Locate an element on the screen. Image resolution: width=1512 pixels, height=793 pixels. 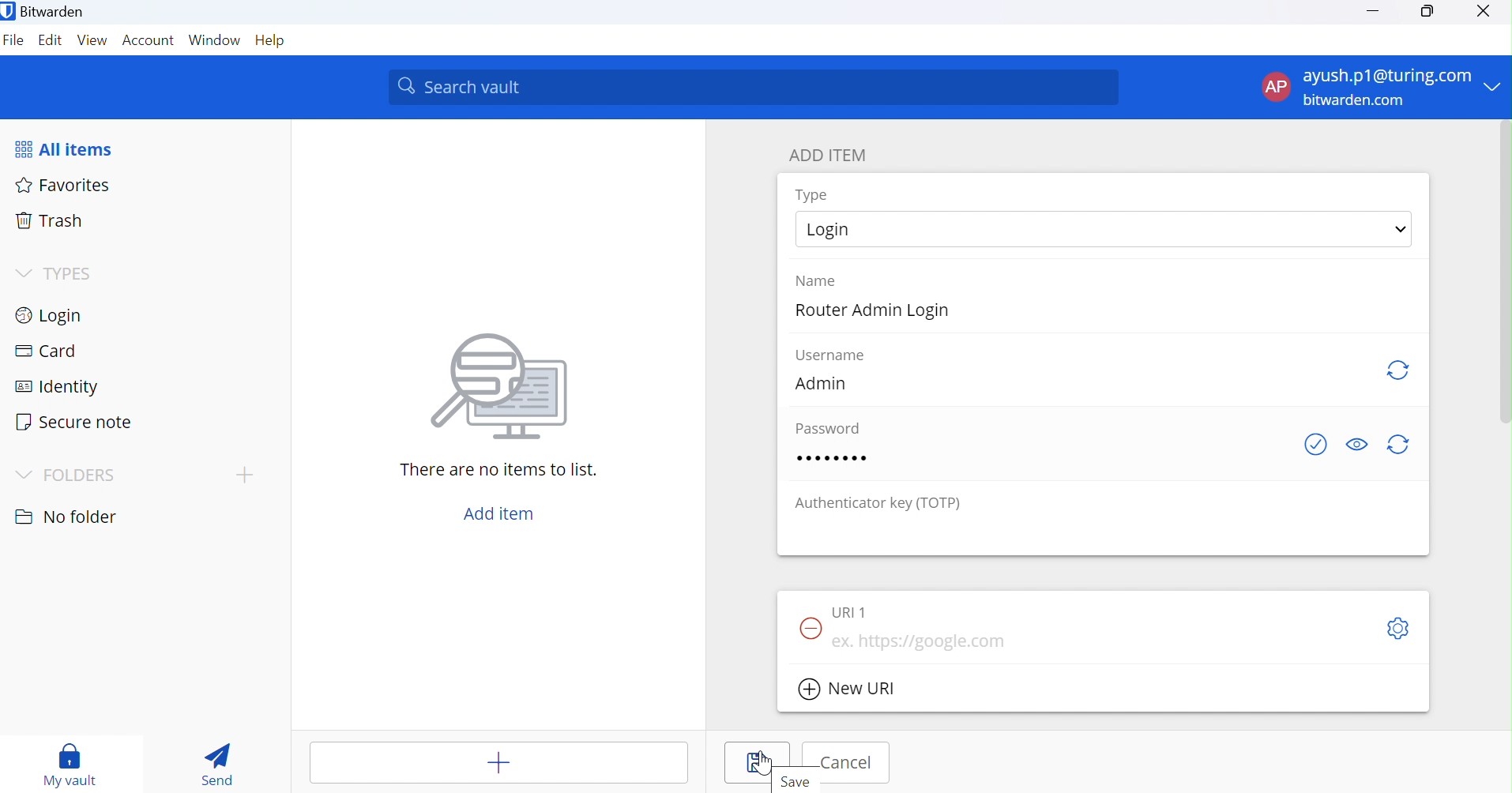
Toggle visibility is located at coordinates (1356, 443).